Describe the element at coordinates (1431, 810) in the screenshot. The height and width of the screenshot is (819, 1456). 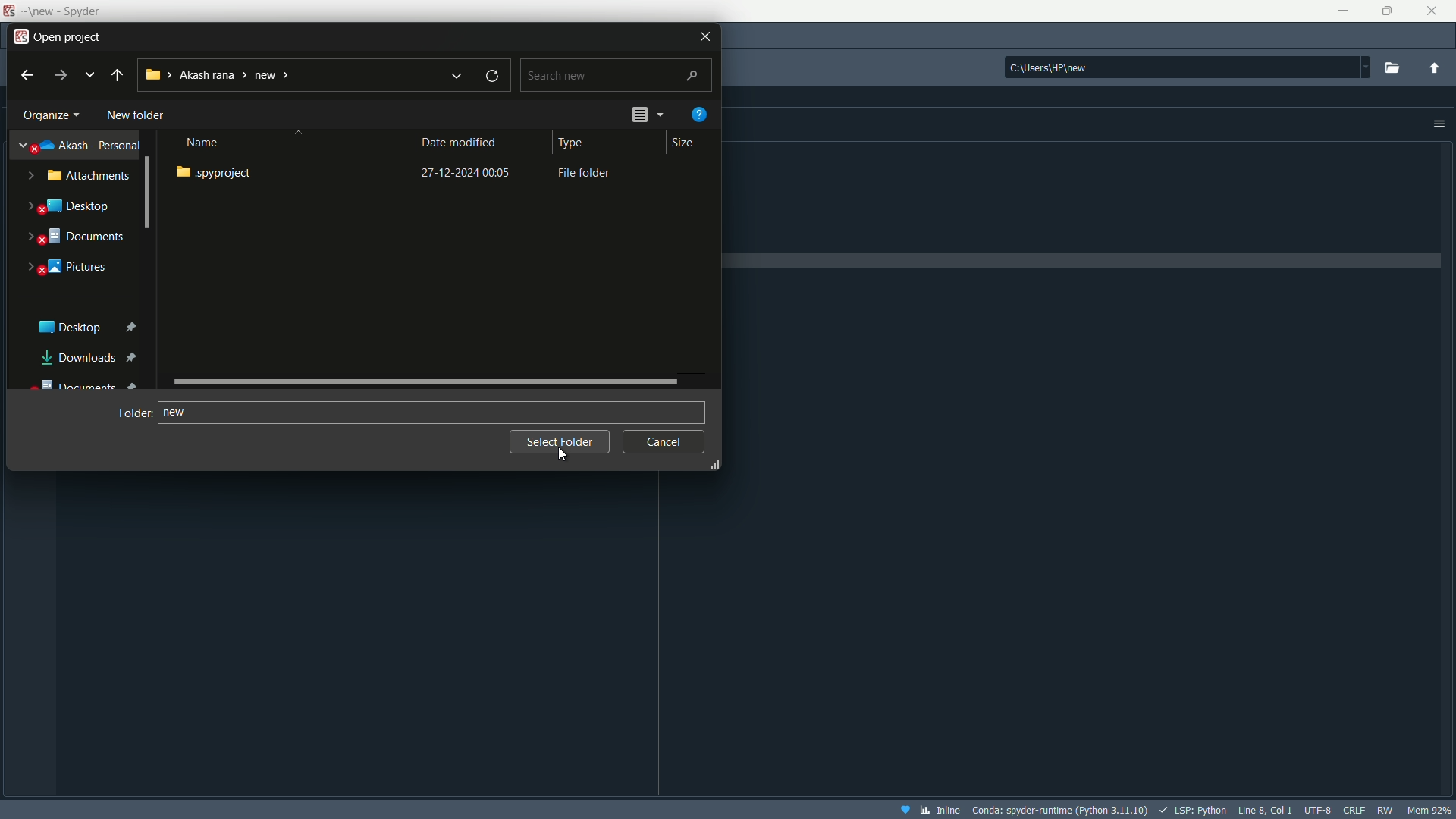
I see `memory usage` at that location.